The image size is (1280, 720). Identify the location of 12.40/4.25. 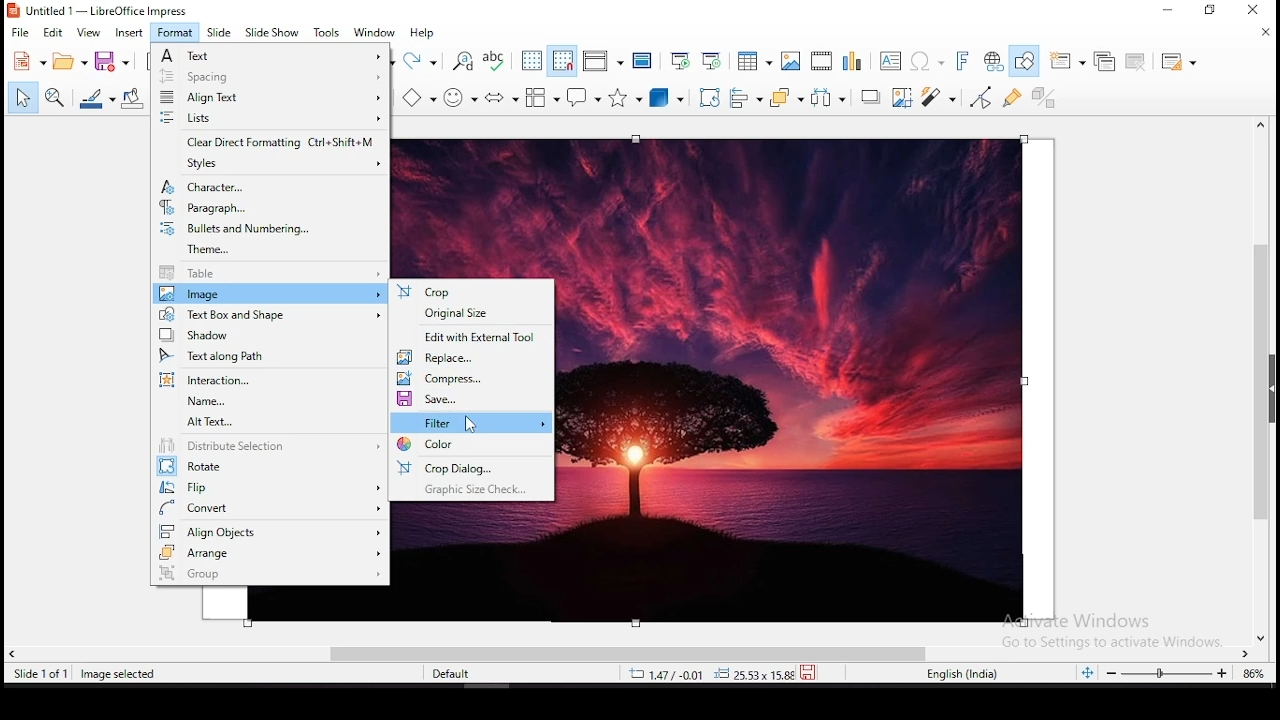
(669, 674).